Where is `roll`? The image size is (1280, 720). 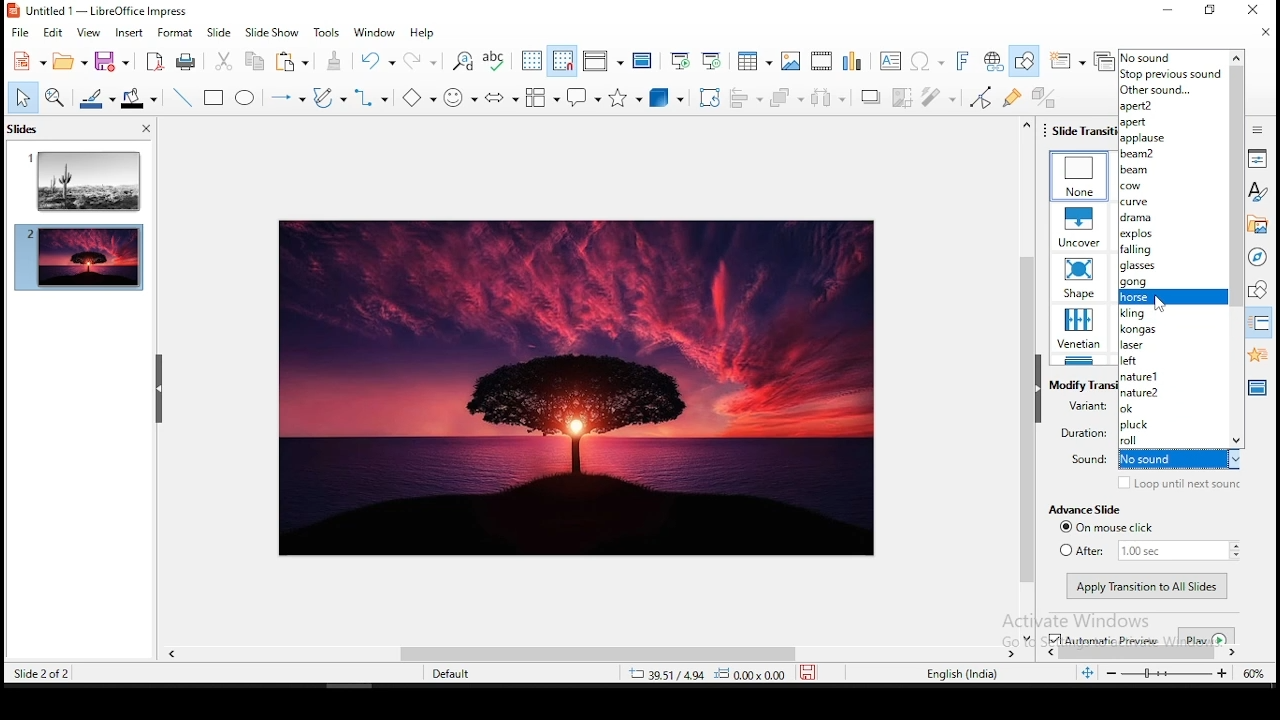
roll is located at coordinates (1173, 440).